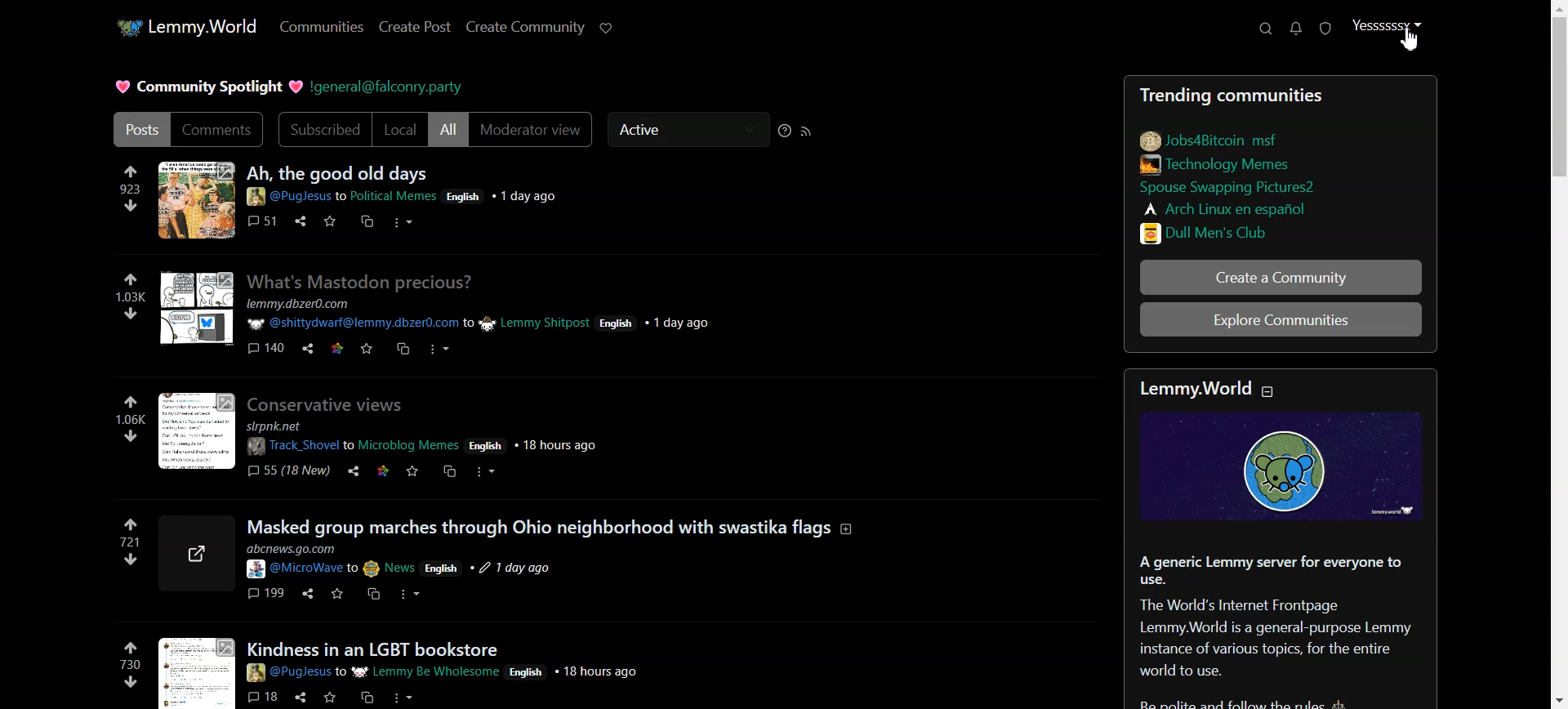 This screenshot has height=709, width=1568. I want to click on Posts, so click(138, 129).